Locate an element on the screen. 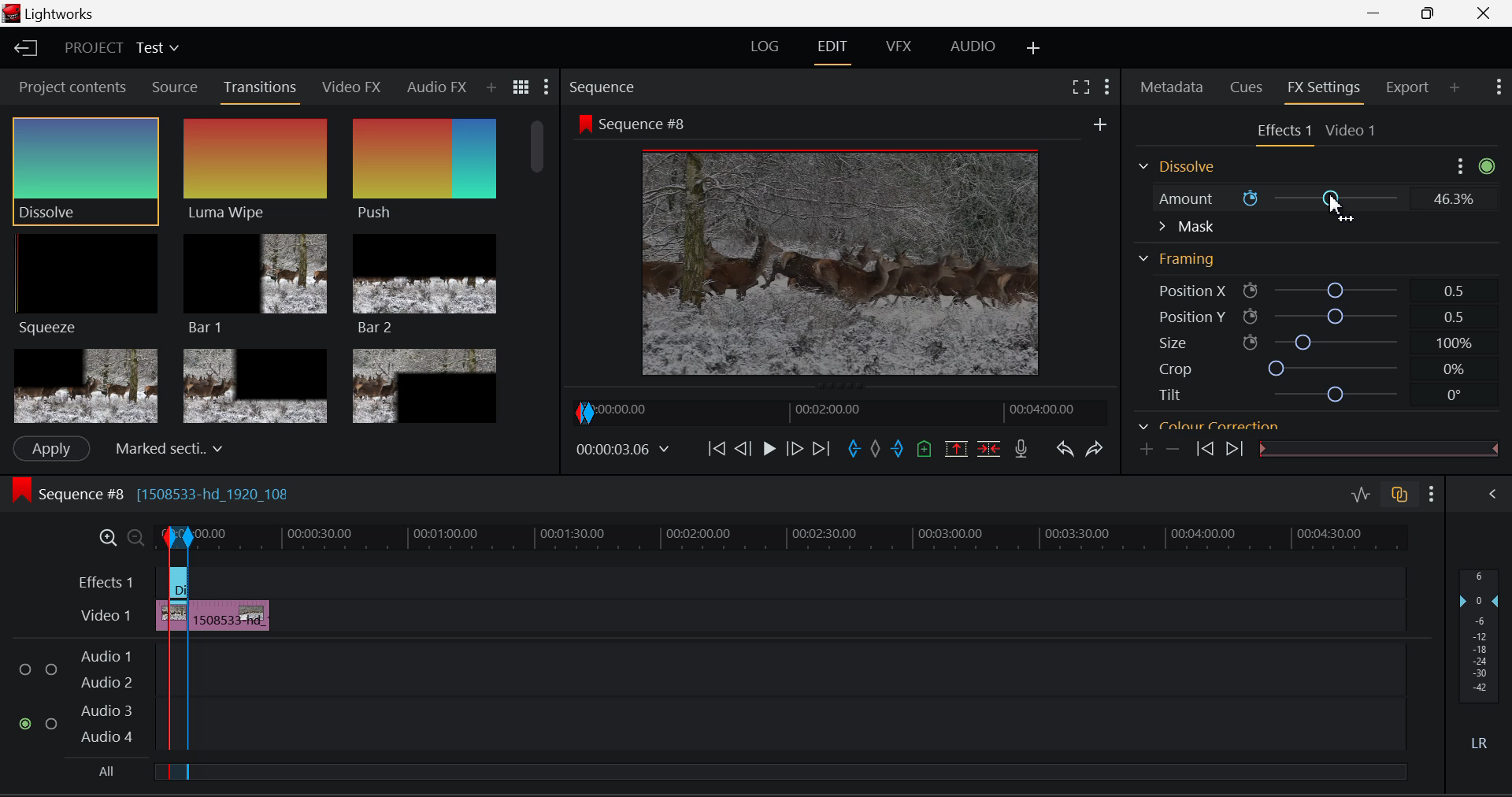 Image resolution: width=1512 pixels, height=797 pixels. Audio 2 is located at coordinates (106, 679).